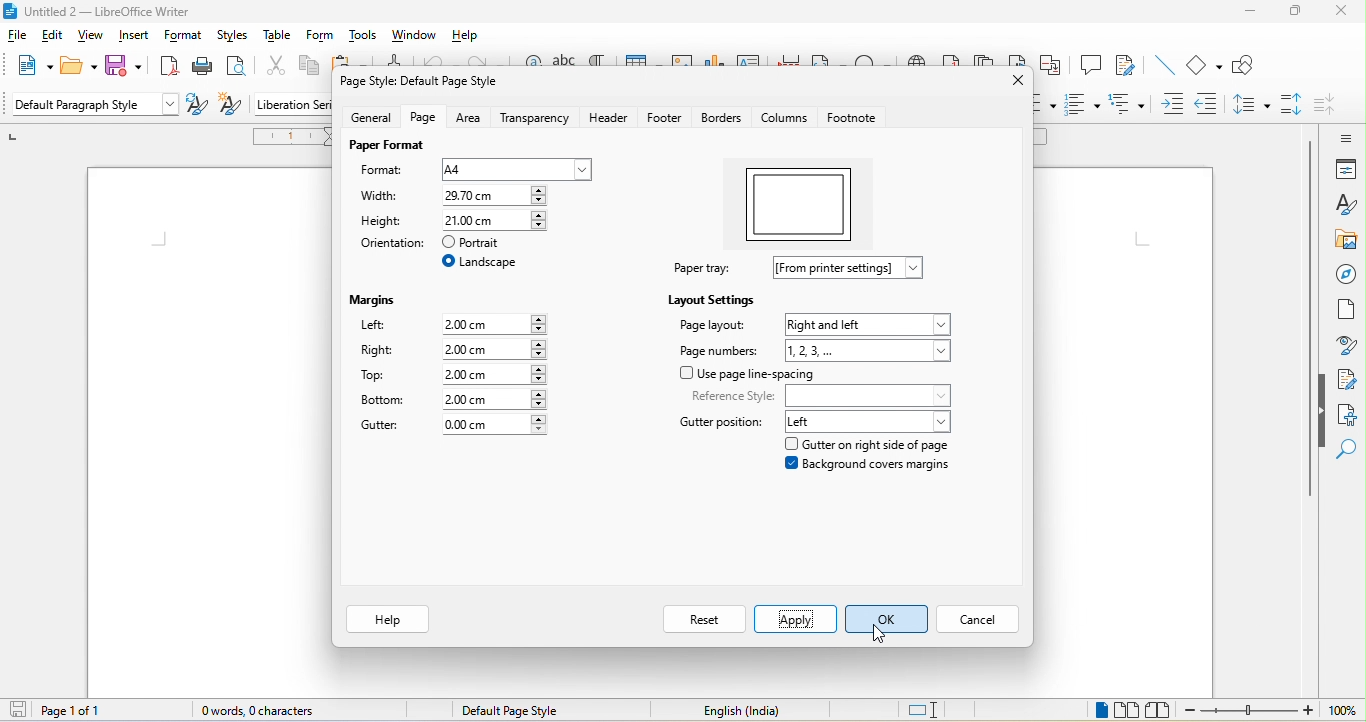 The image size is (1366, 722). What do you see at coordinates (668, 119) in the screenshot?
I see `footer` at bounding box center [668, 119].